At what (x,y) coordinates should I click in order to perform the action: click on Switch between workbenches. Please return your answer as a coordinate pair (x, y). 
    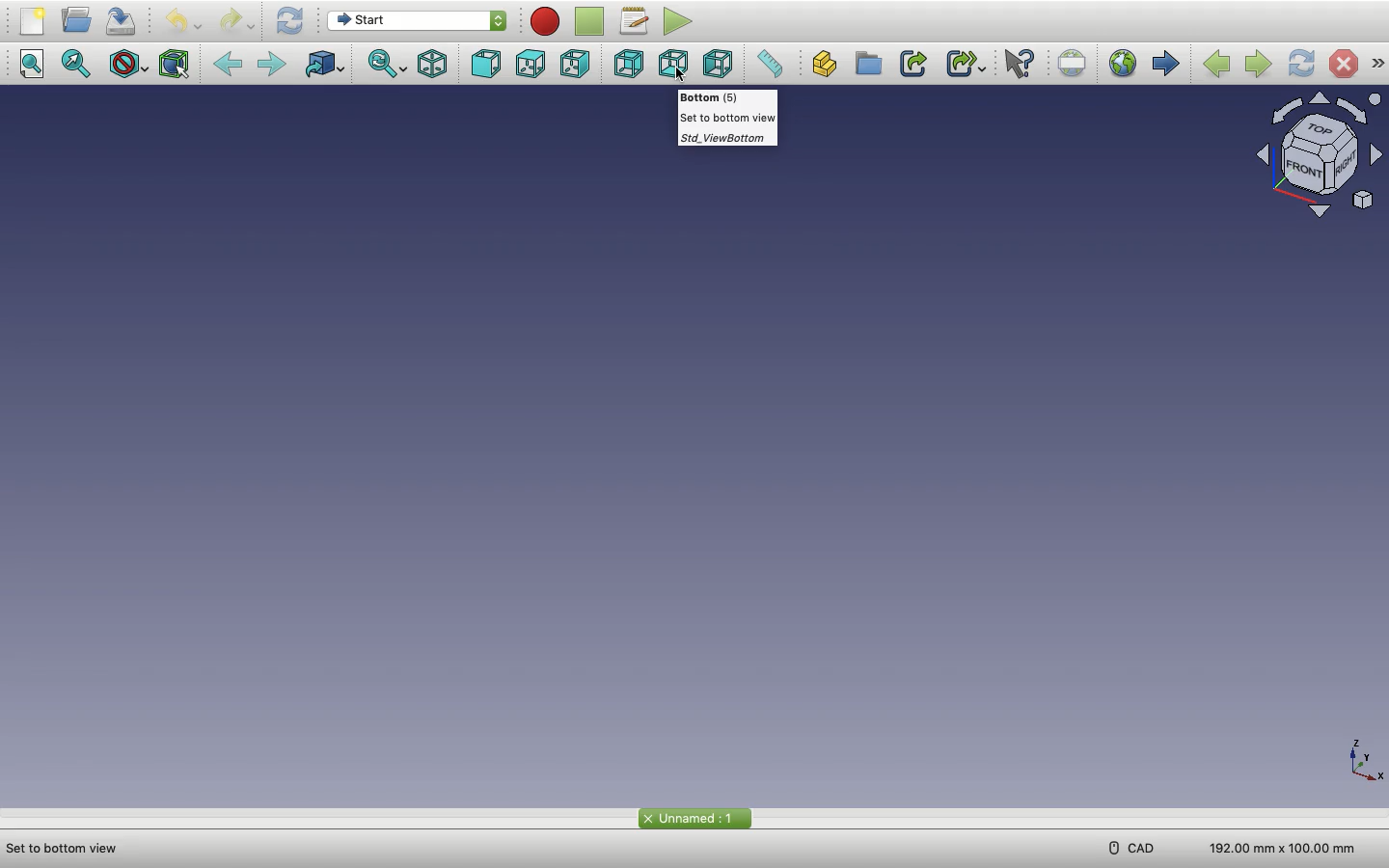
    Looking at the image, I should click on (416, 22).